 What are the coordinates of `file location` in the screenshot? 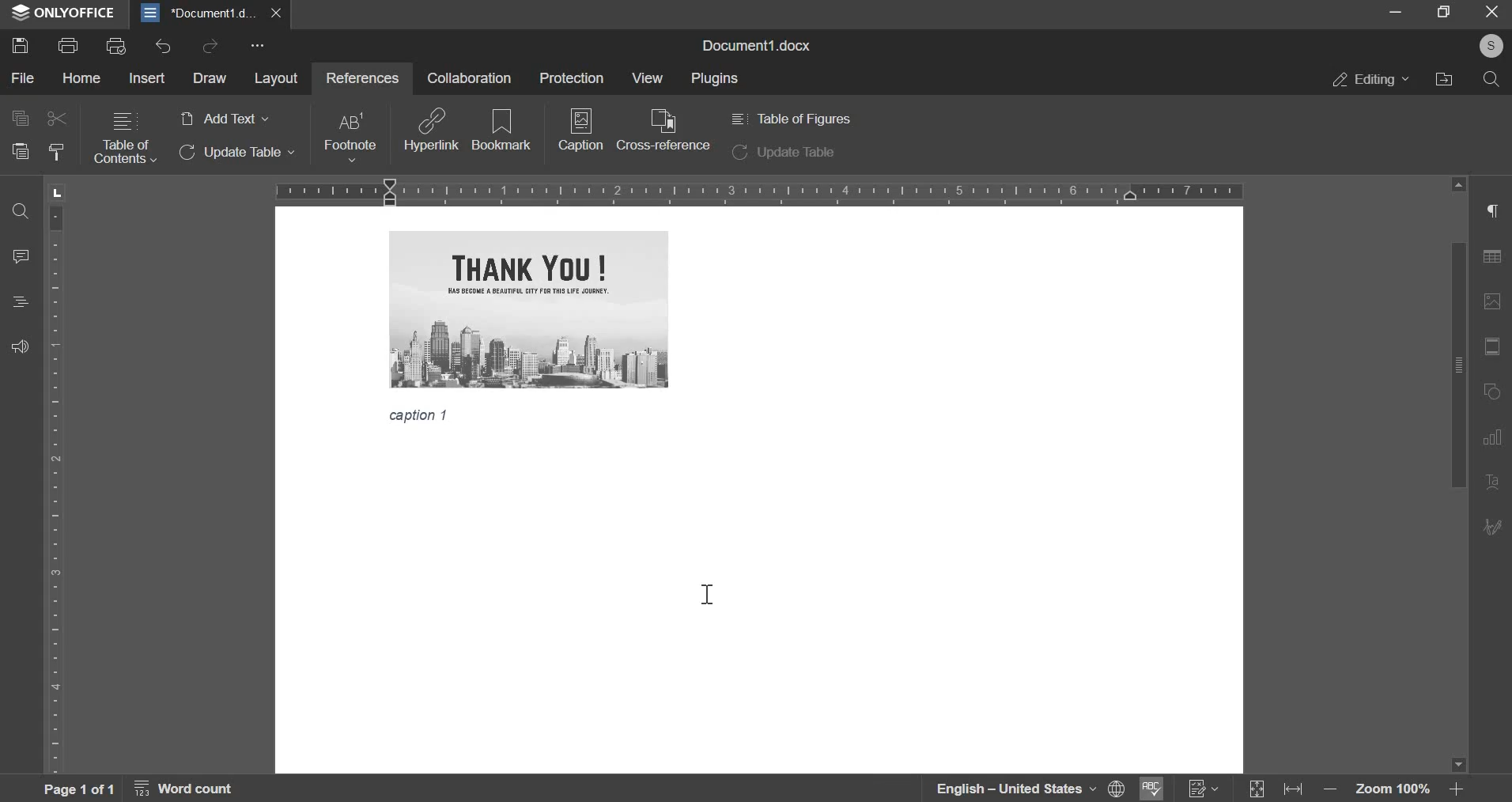 It's located at (1443, 78).